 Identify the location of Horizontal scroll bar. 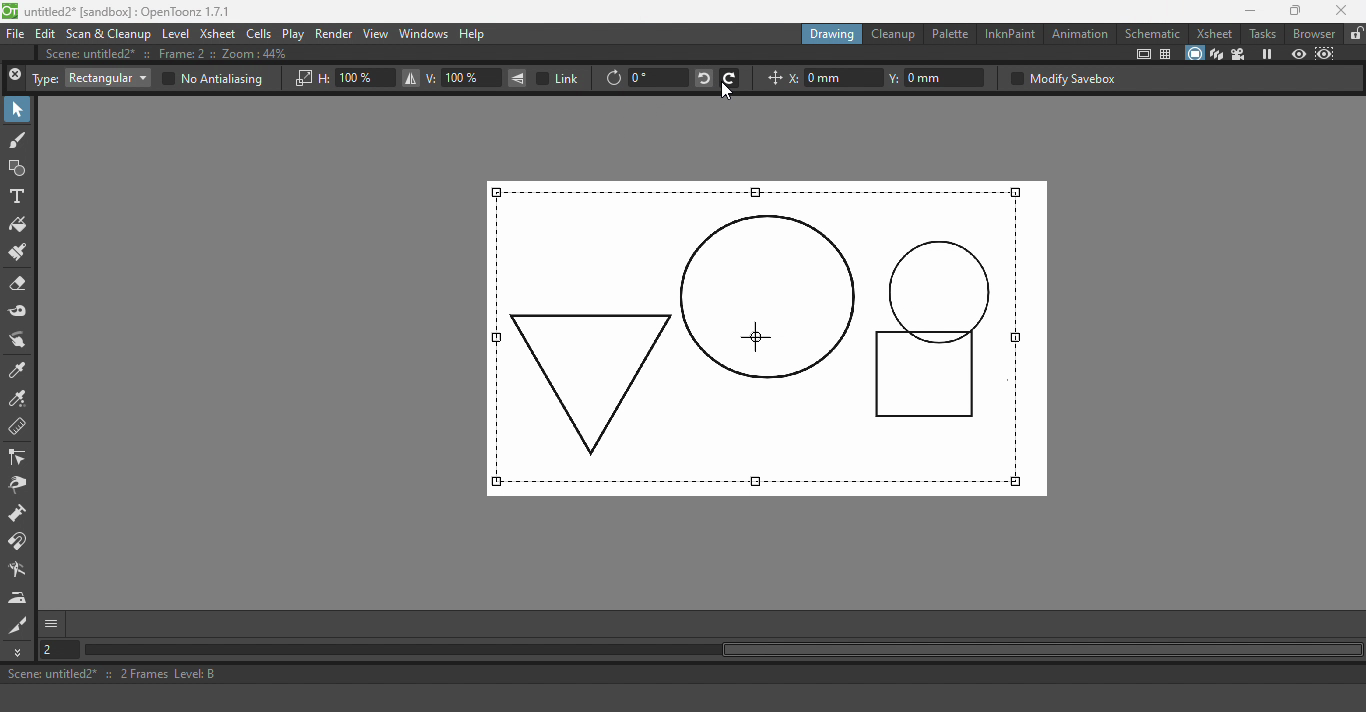
(733, 651).